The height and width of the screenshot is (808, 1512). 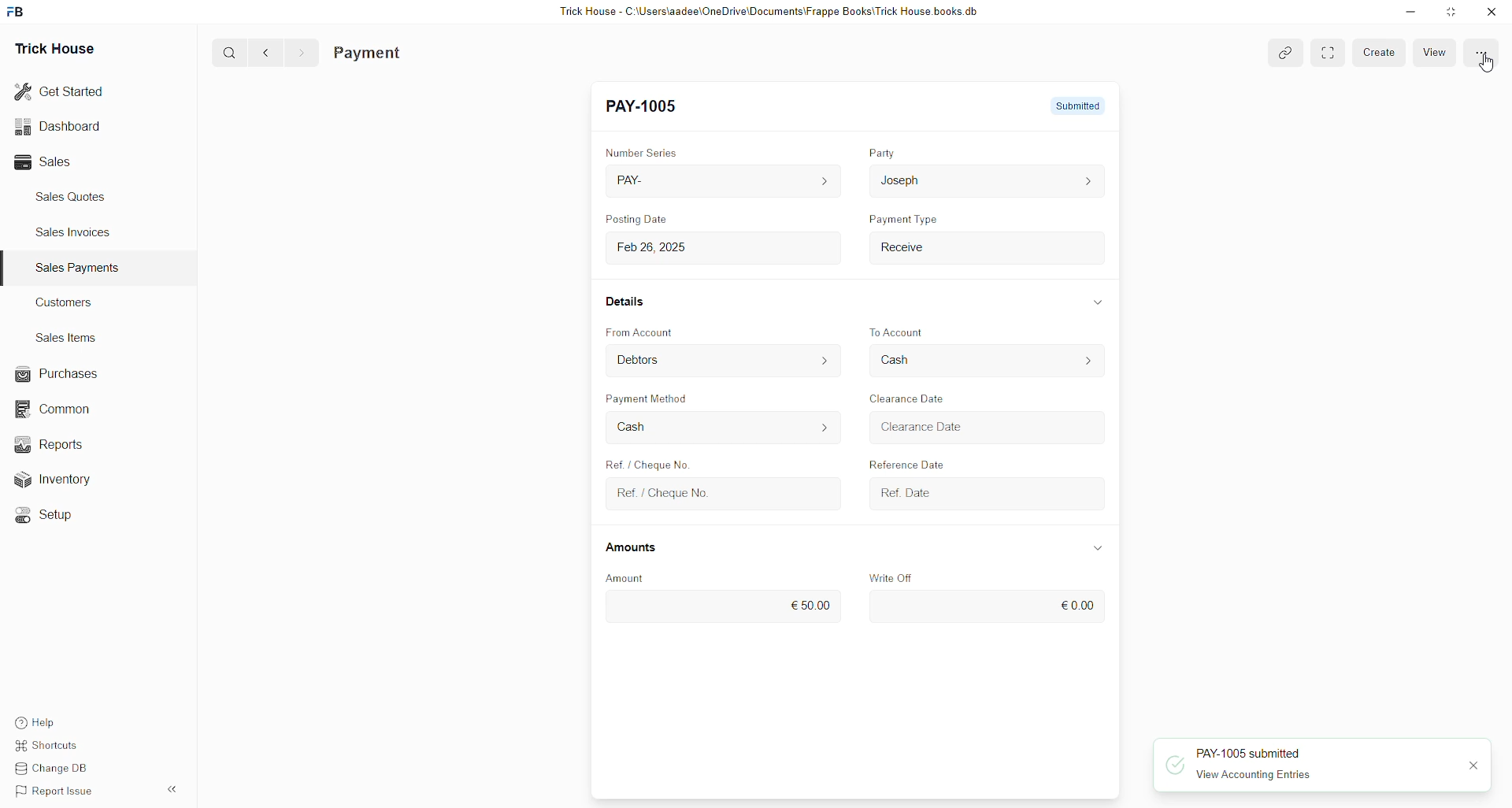 What do you see at coordinates (885, 578) in the screenshot?
I see `Write Off` at bounding box center [885, 578].